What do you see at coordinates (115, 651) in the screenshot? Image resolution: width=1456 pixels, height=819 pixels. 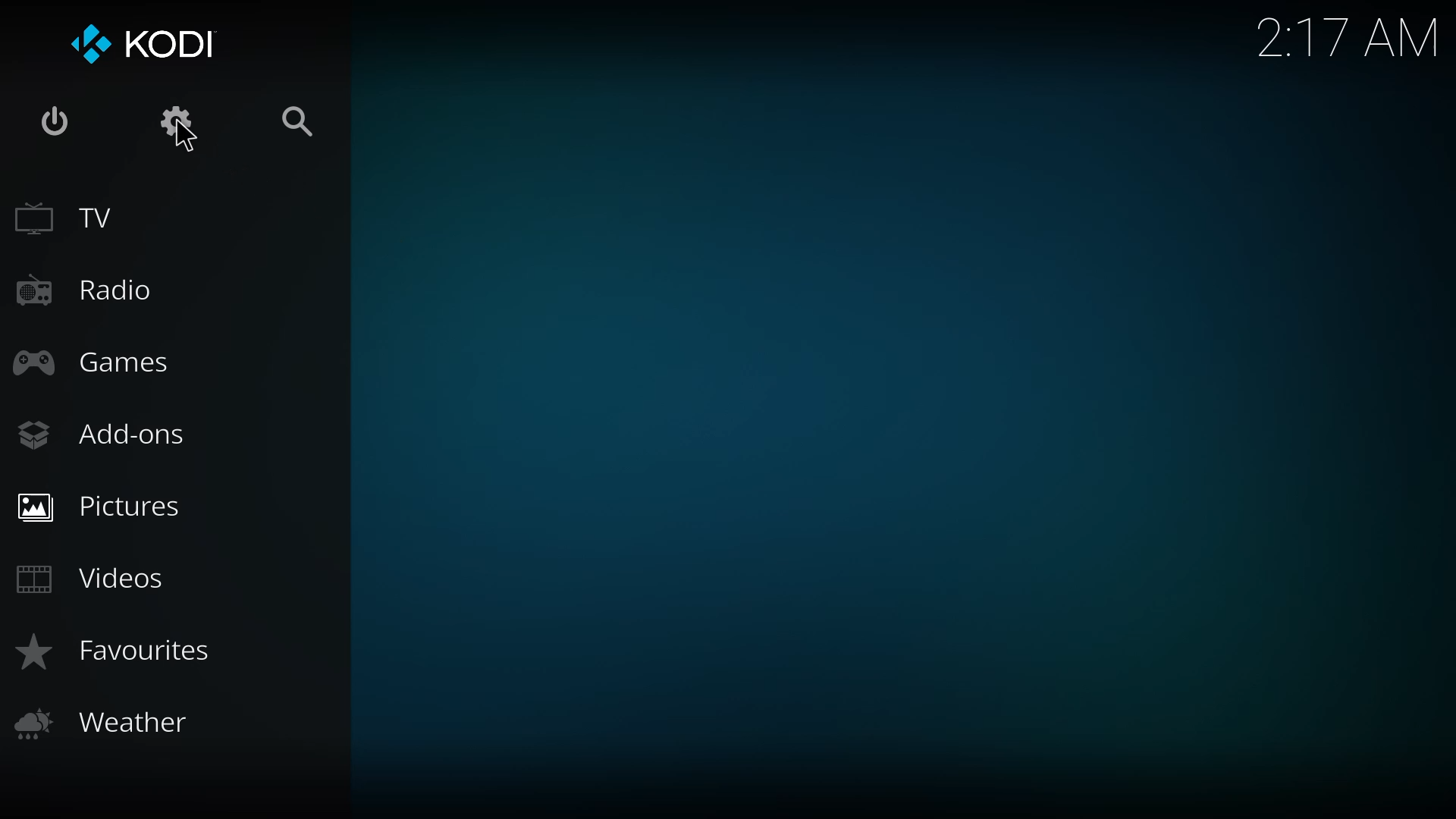 I see `favorites` at bounding box center [115, 651].